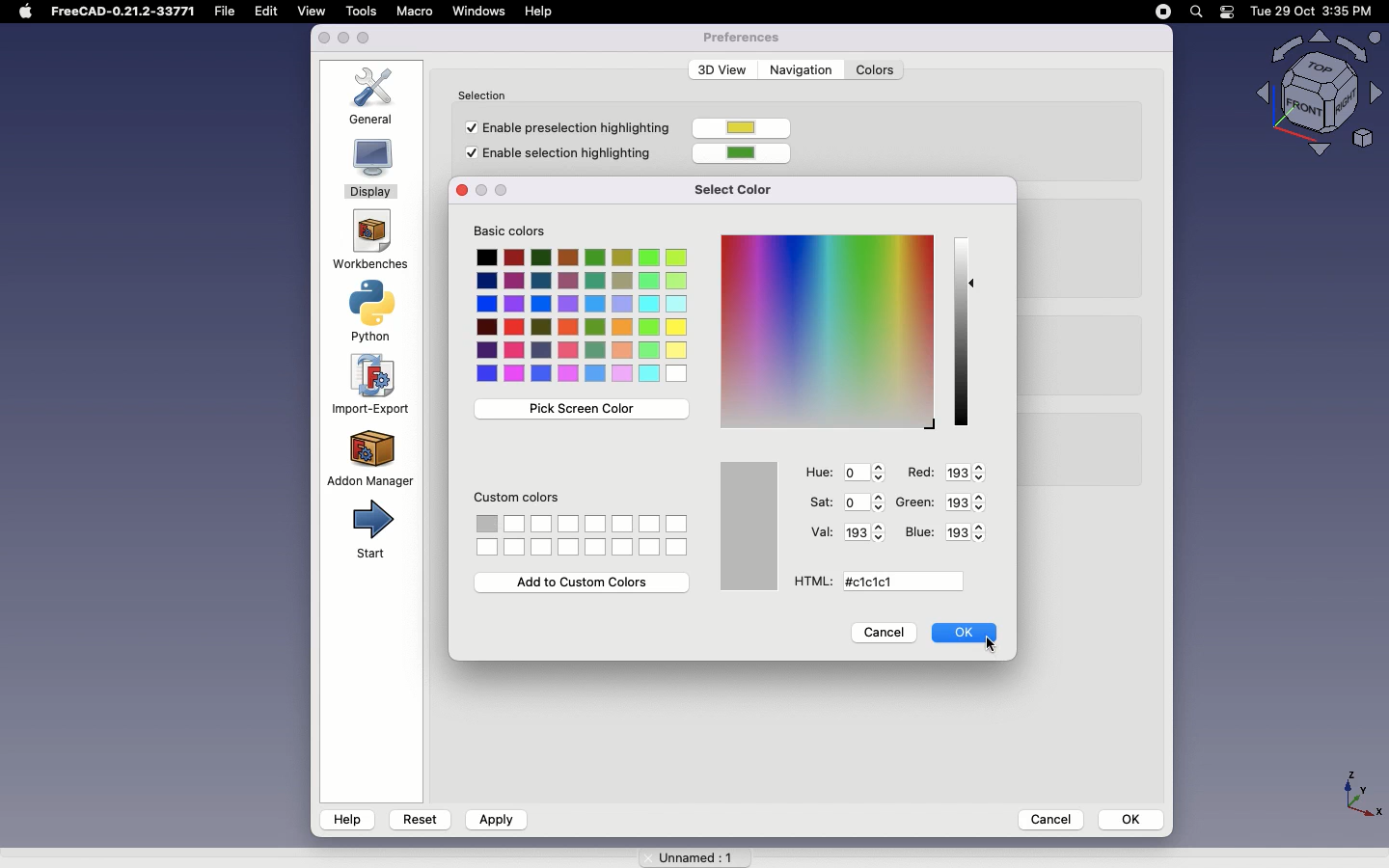 The height and width of the screenshot is (868, 1389). What do you see at coordinates (376, 312) in the screenshot?
I see `Python` at bounding box center [376, 312].